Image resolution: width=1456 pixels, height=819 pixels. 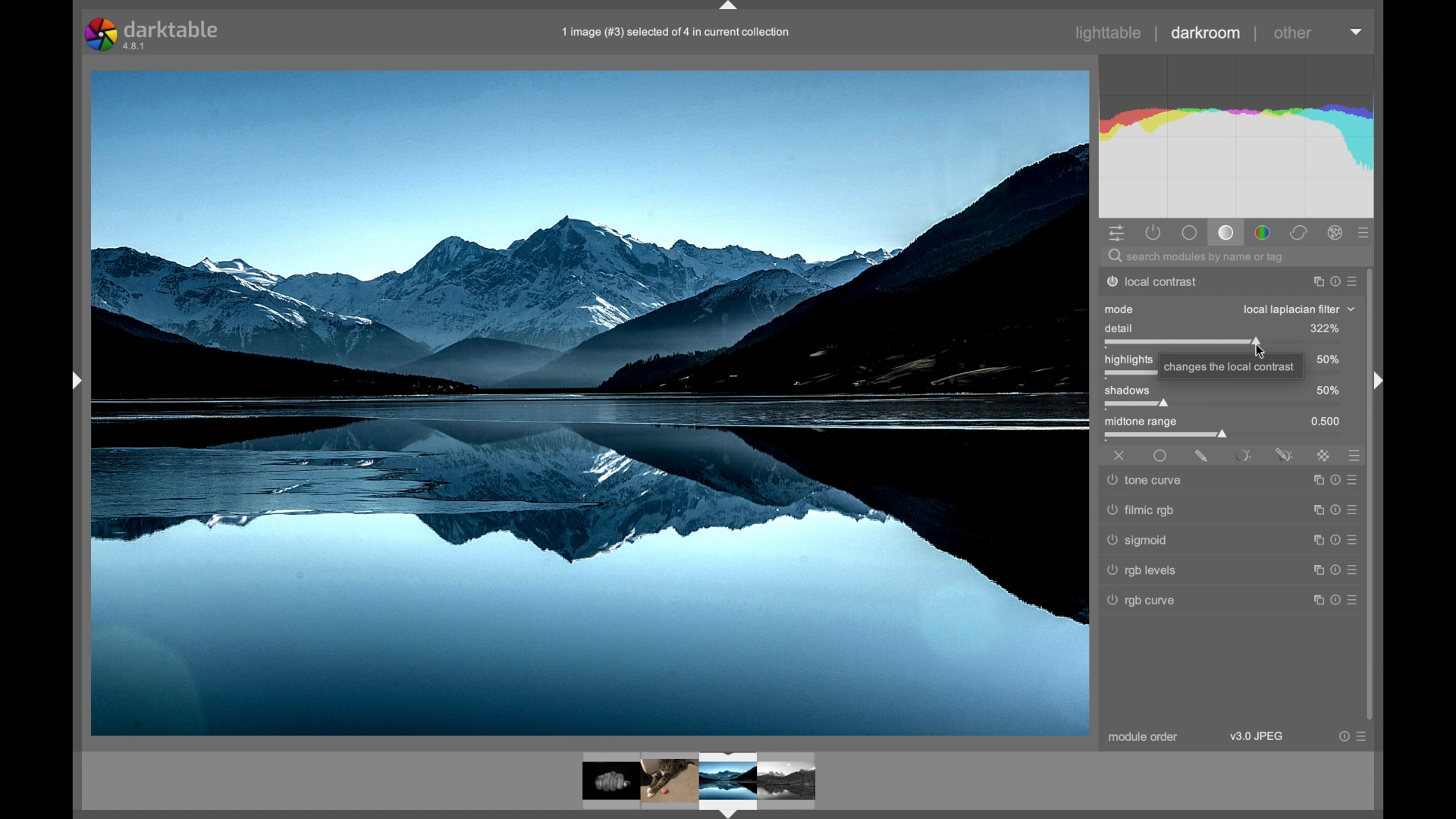 What do you see at coordinates (1301, 309) in the screenshot?
I see `local laplacianfiler dropdown` at bounding box center [1301, 309].